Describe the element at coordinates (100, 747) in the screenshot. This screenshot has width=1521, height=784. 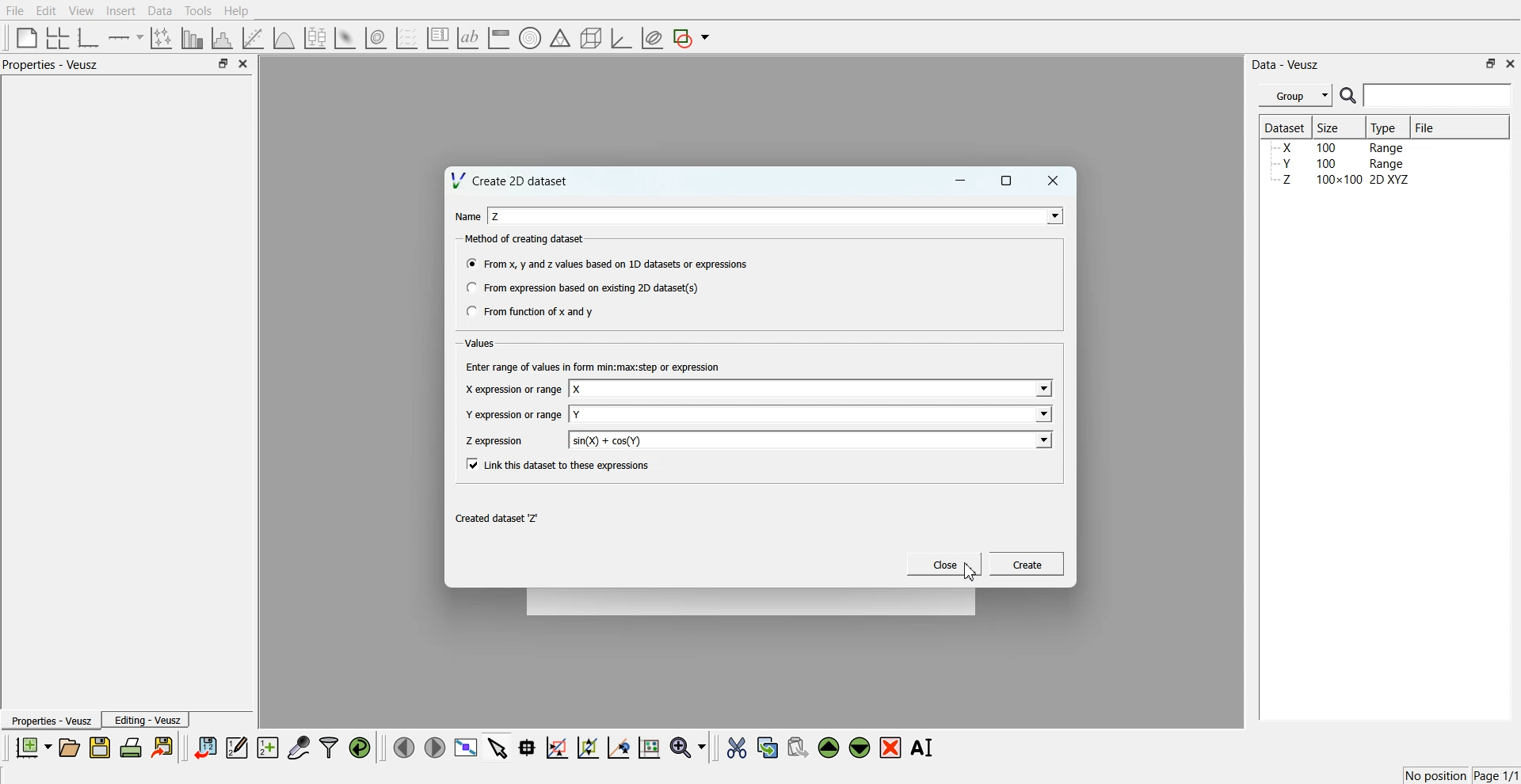
I see `Save the document` at that location.